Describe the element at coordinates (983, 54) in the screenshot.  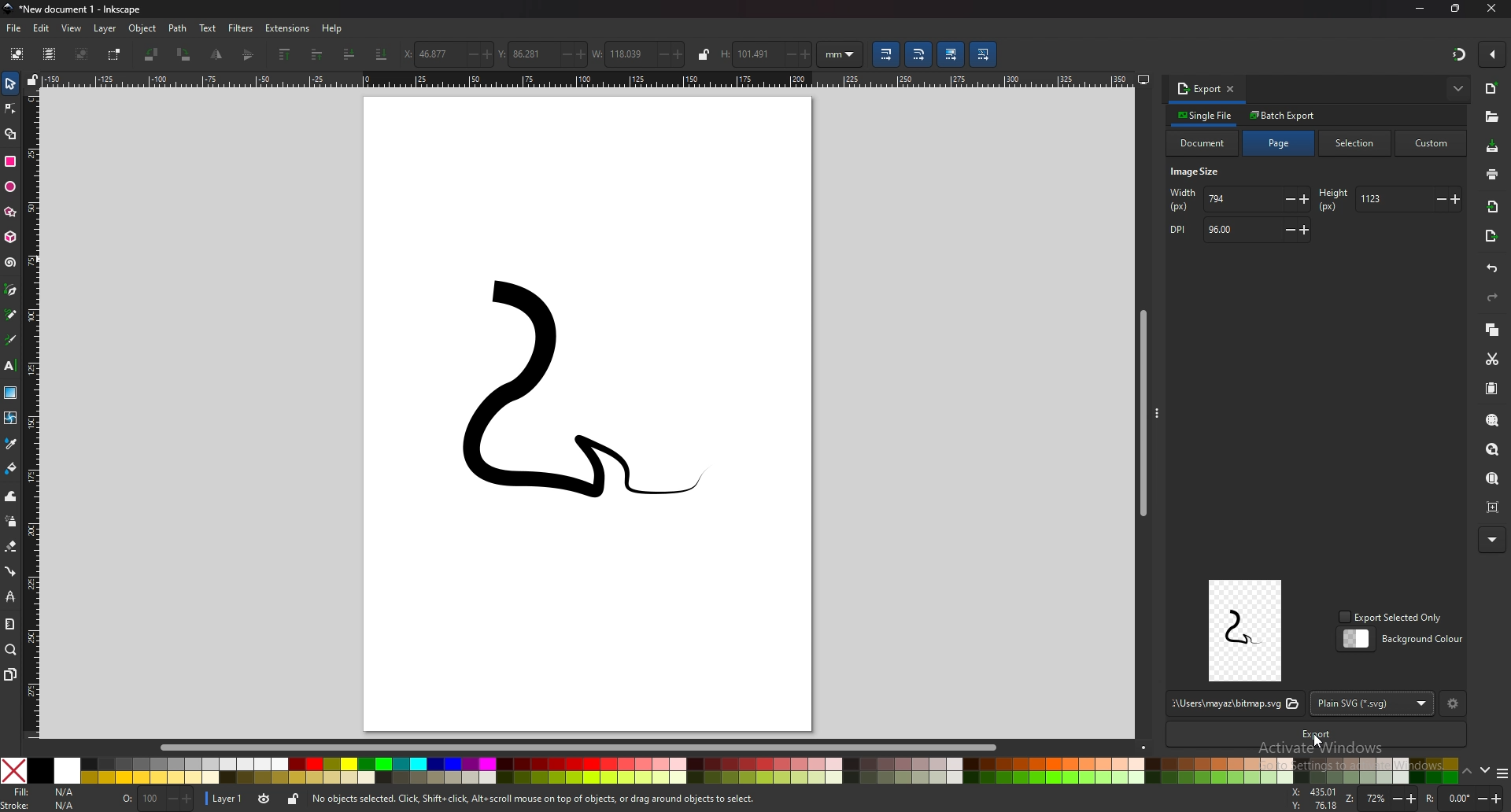
I see `move patterns` at that location.